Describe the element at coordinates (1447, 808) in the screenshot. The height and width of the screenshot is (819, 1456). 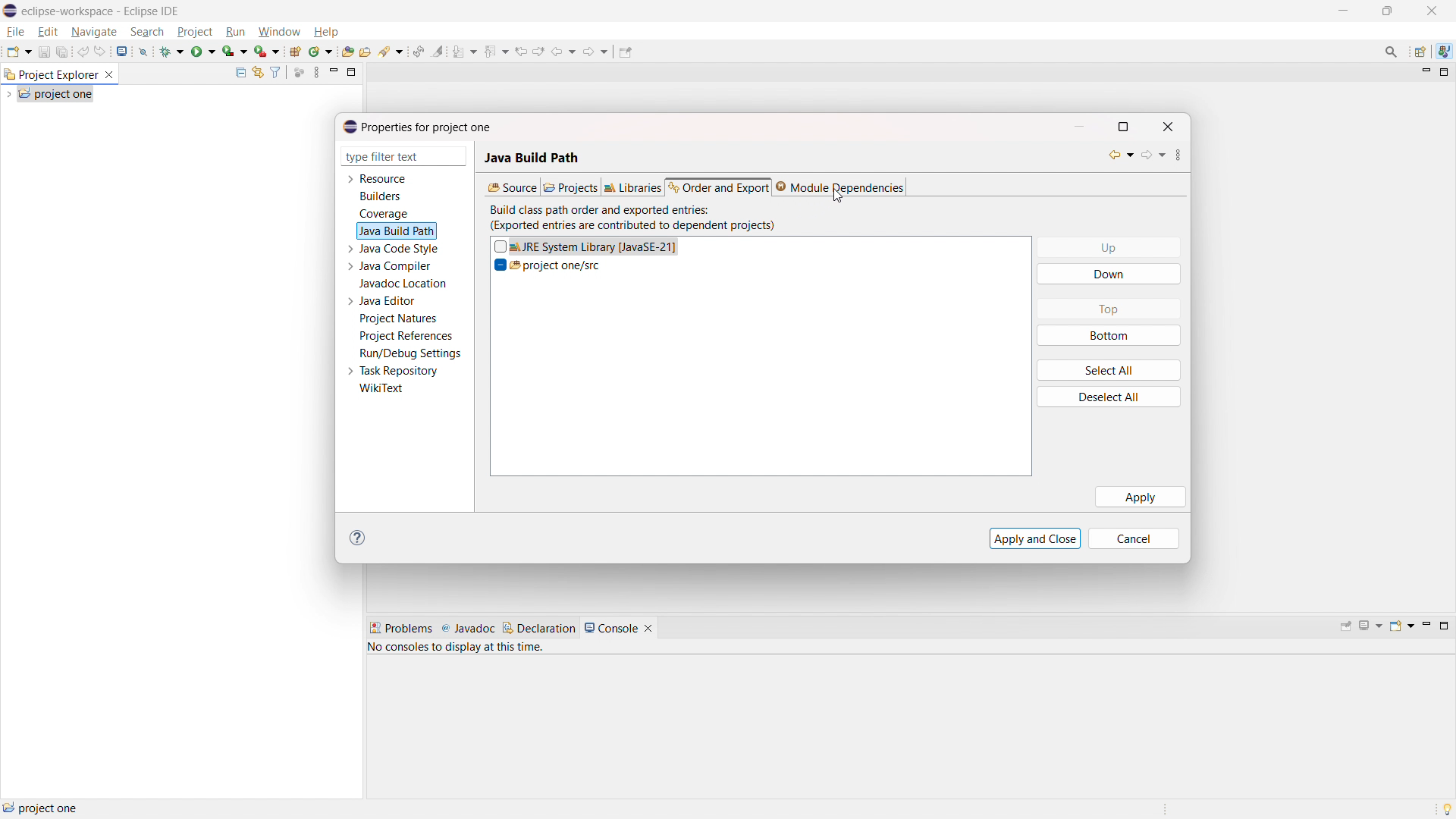
I see `tip of the day` at that location.